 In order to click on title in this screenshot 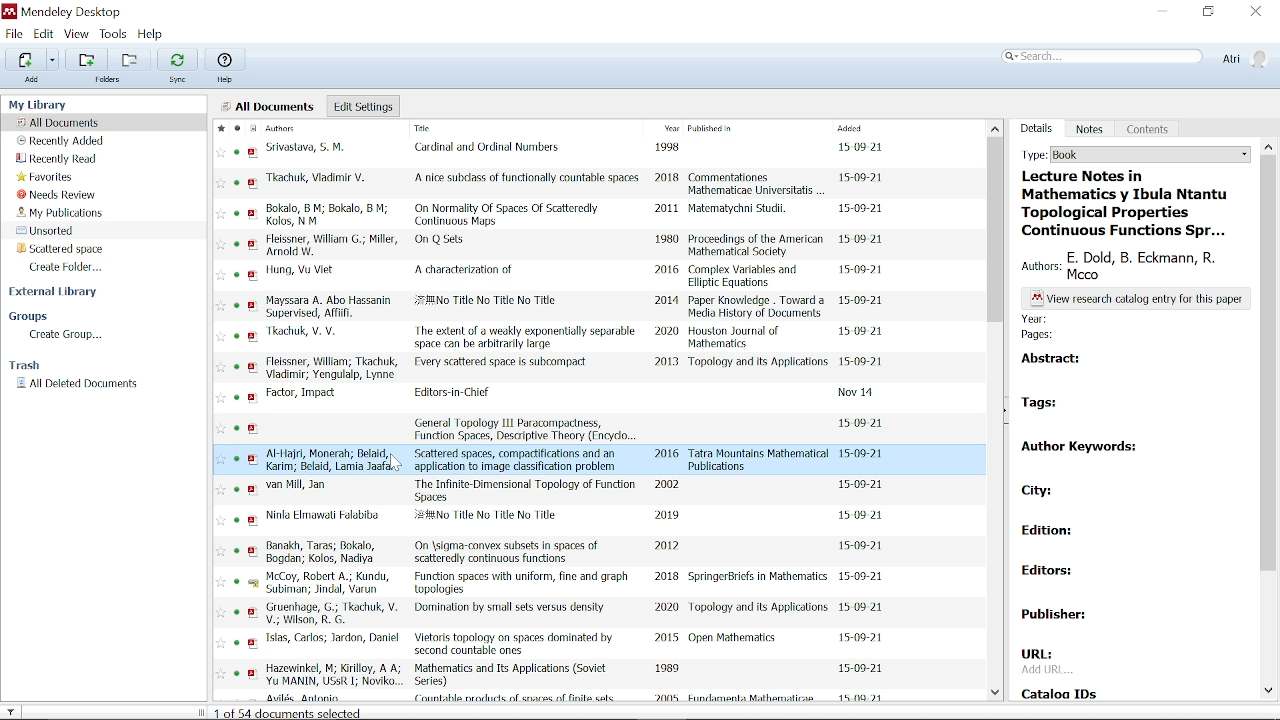, I will do `click(513, 645)`.